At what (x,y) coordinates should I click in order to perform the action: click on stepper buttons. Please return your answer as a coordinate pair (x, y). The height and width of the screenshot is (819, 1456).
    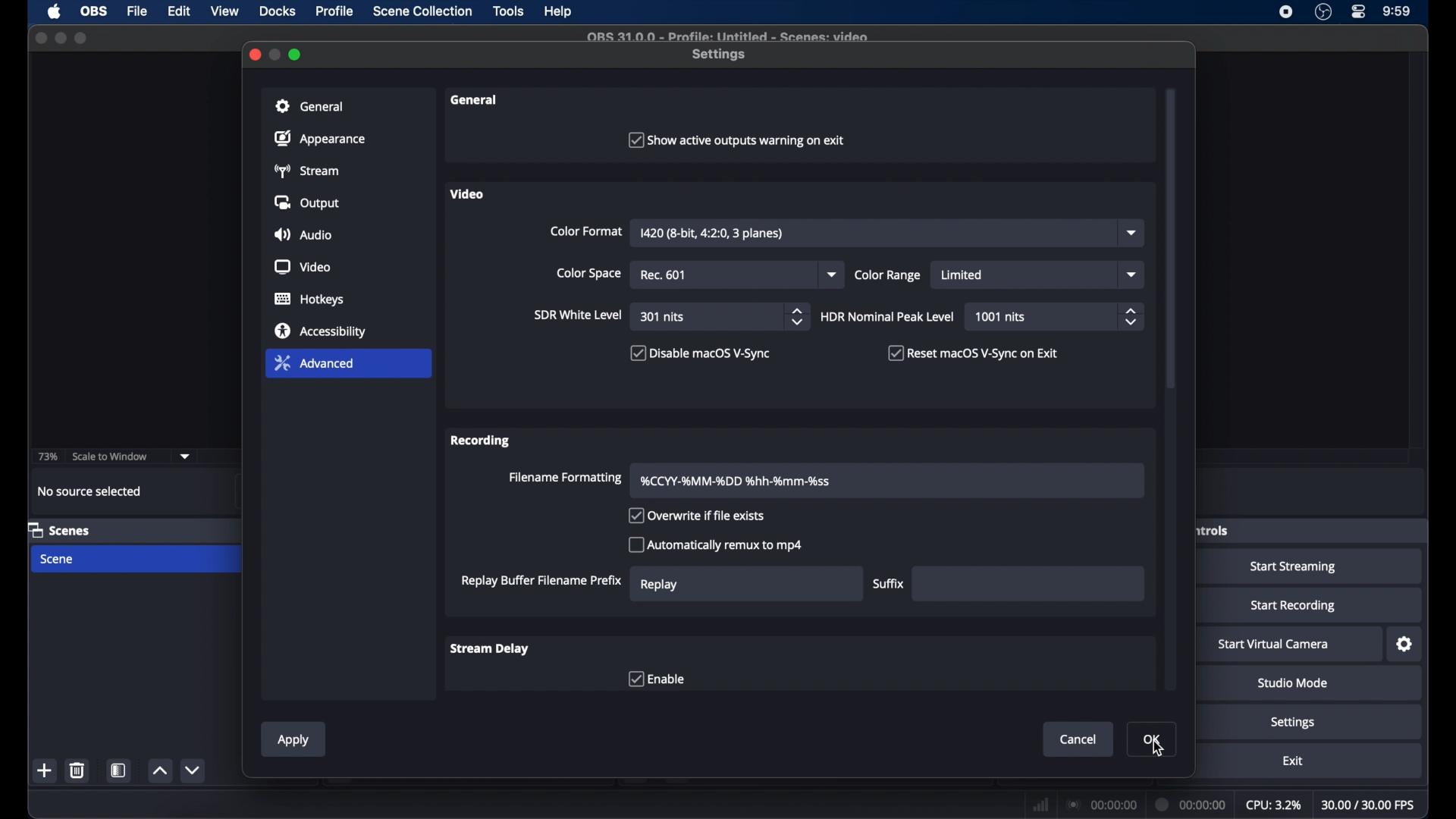
    Looking at the image, I should click on (798, 317).